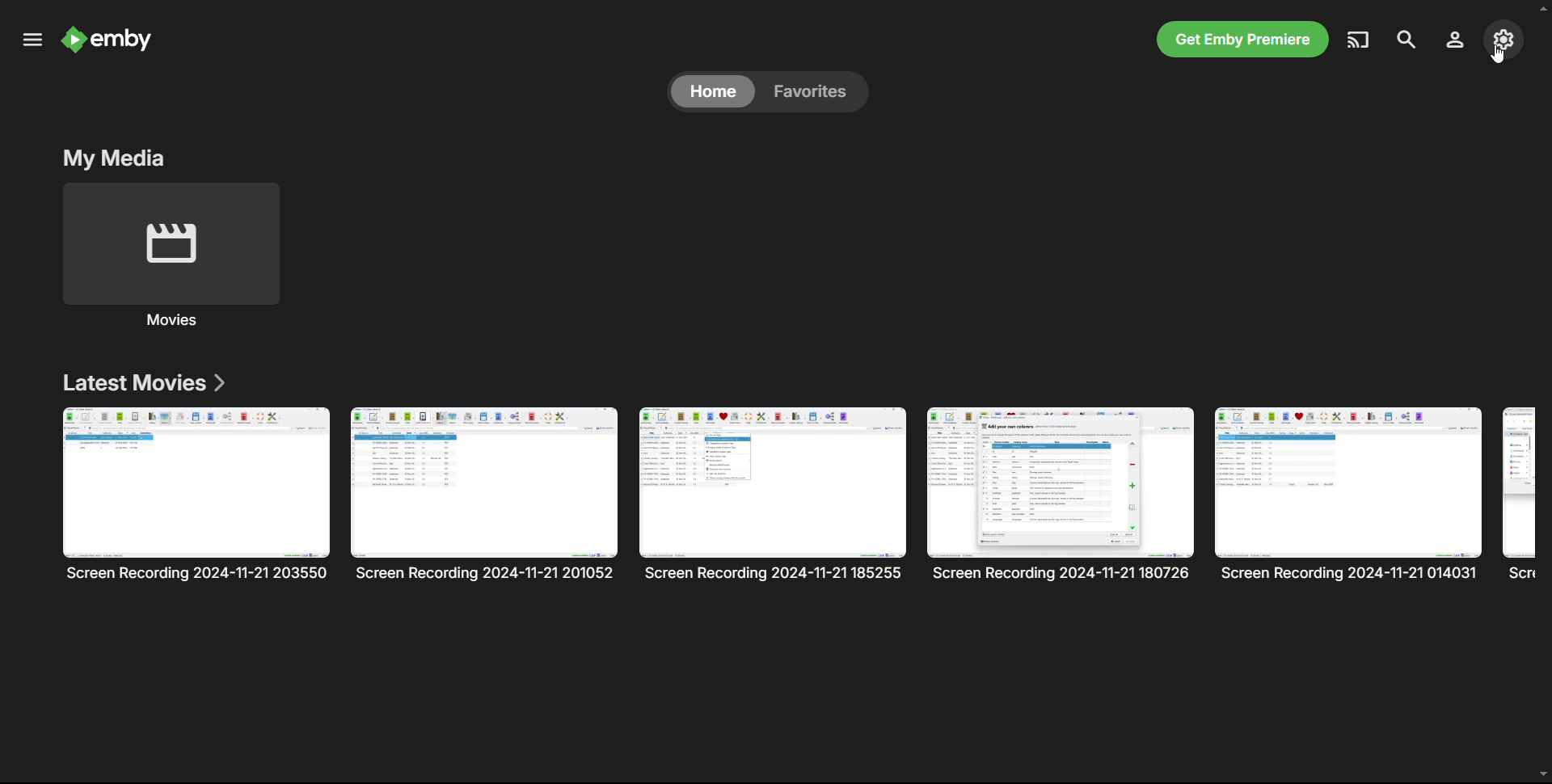 Image resolution: width=1552 pixels, height=784 pixels. What do you see at coordinates (1499, 55) in the screenshot?
I see `cursor` at bounding box center [1499, 55].